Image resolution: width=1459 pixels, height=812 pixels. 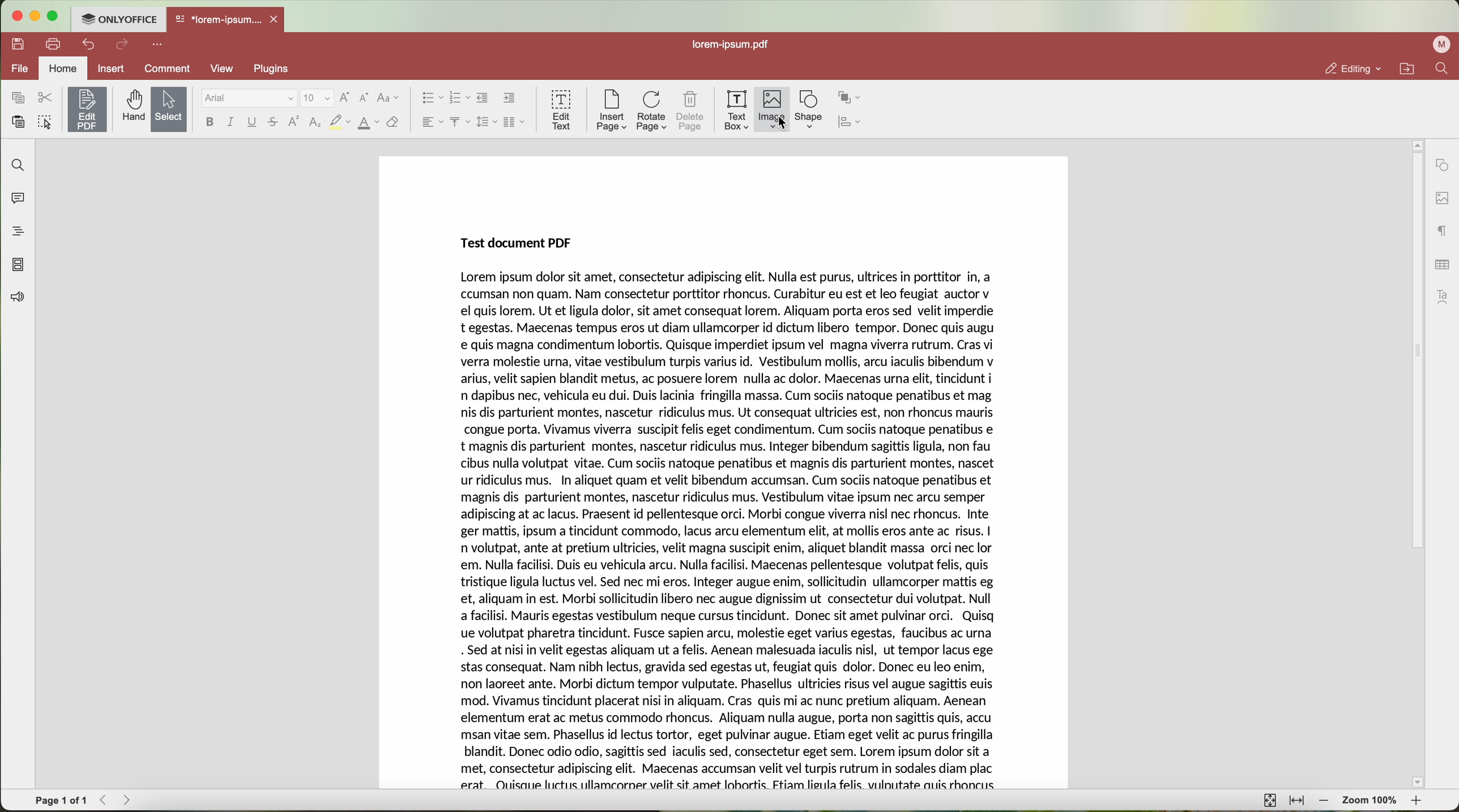 What do you see at coordinates (611, 110) in the screenshot?
I see `insert page` at bounding box center [611, 110].